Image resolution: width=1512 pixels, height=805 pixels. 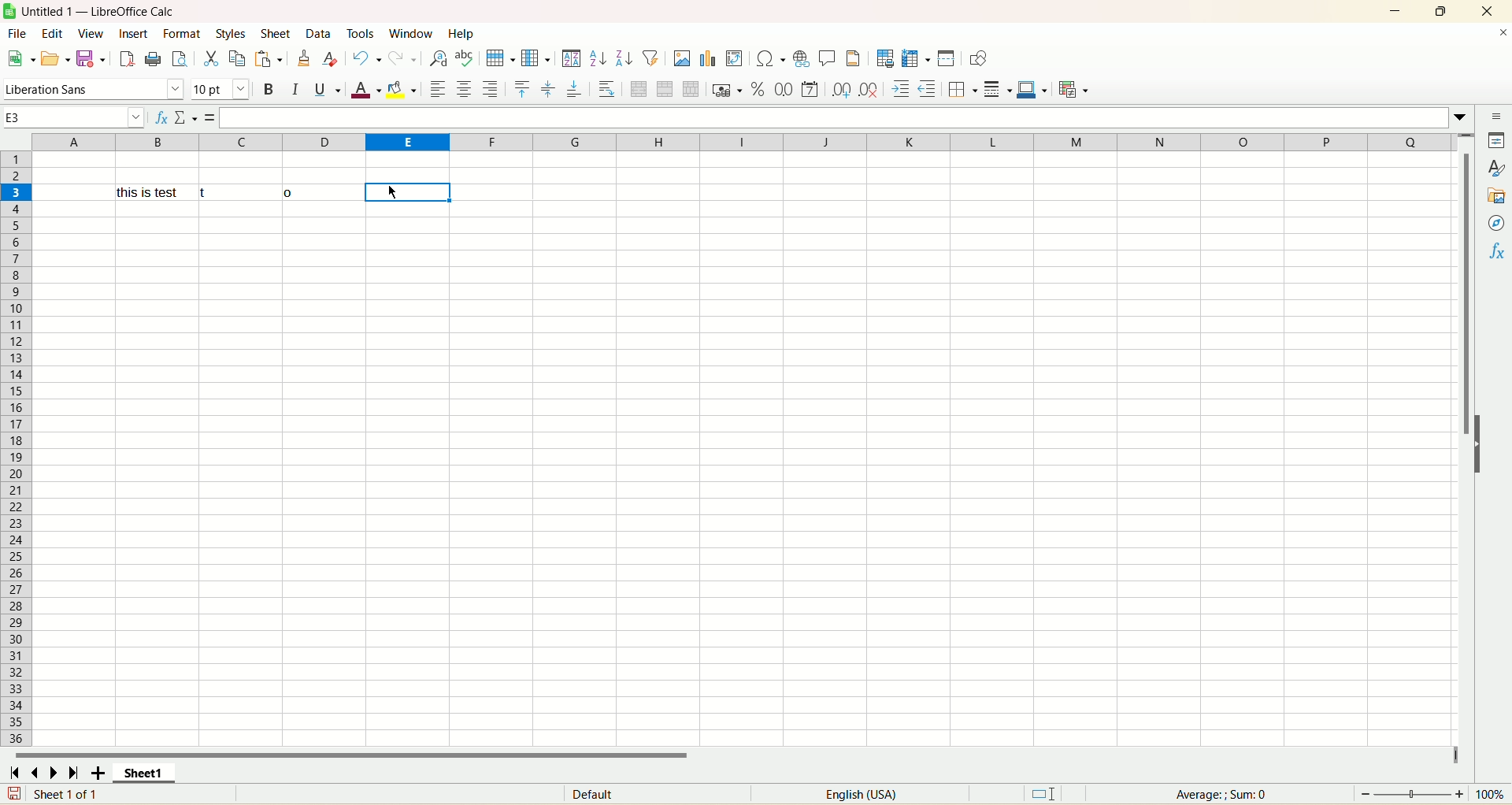 What do you see at coordinates (1495, 35) in the screenshot?
I see `close` at bounding box center [1495, 35].